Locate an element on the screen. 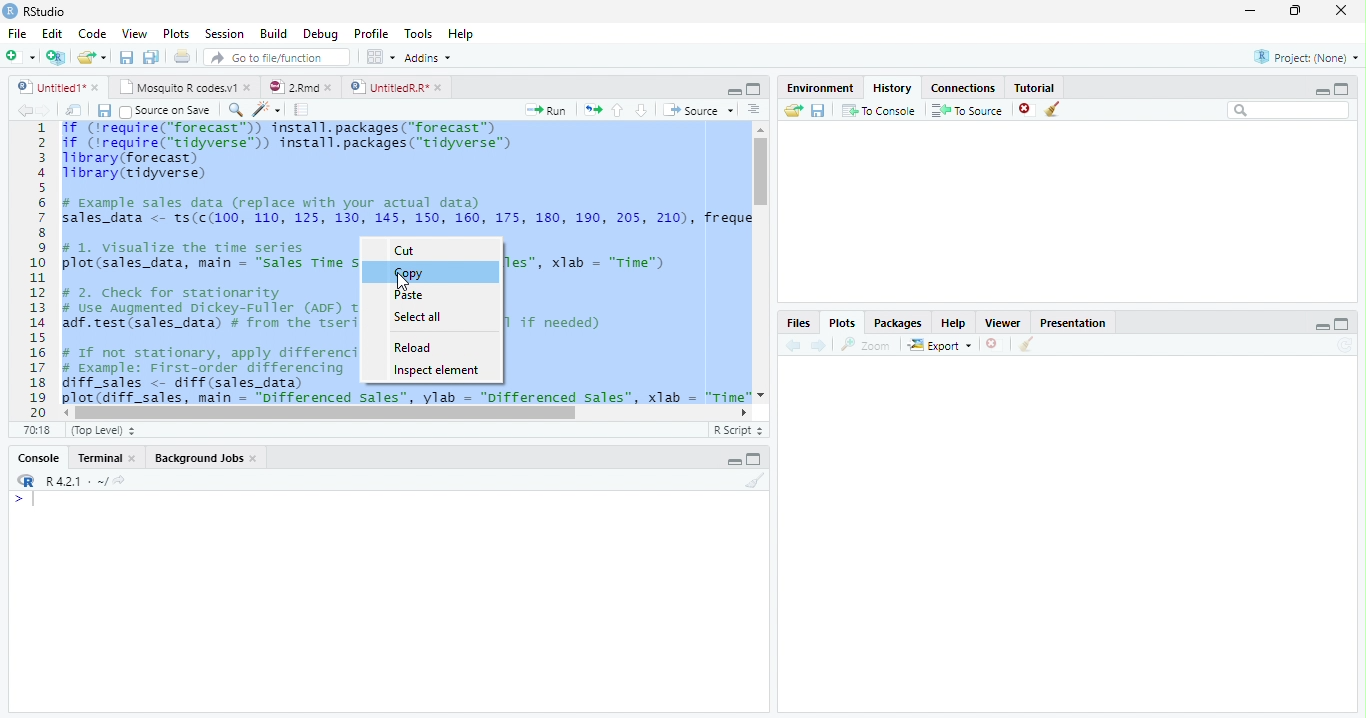 The width and height of the screenshot is (1366, 718). Minimize is located at coordinates (734, 91).